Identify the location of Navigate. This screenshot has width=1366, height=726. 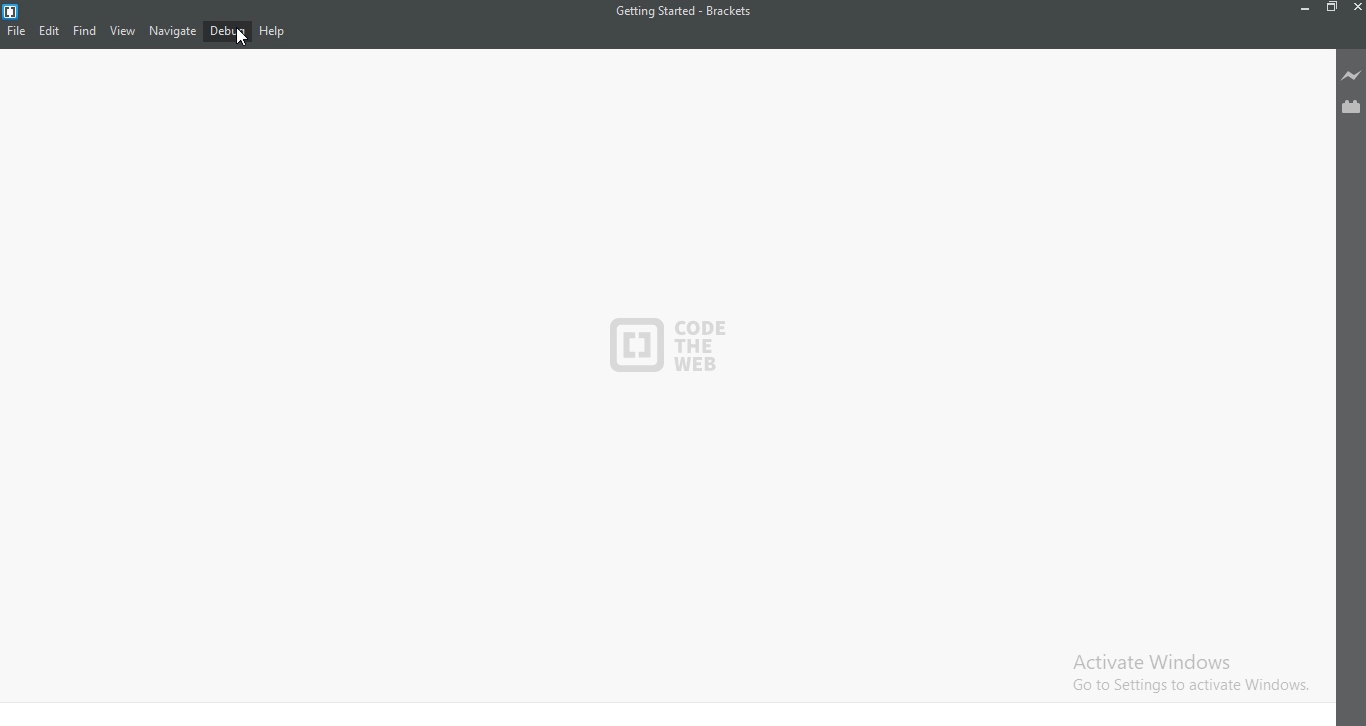
(171, 30).